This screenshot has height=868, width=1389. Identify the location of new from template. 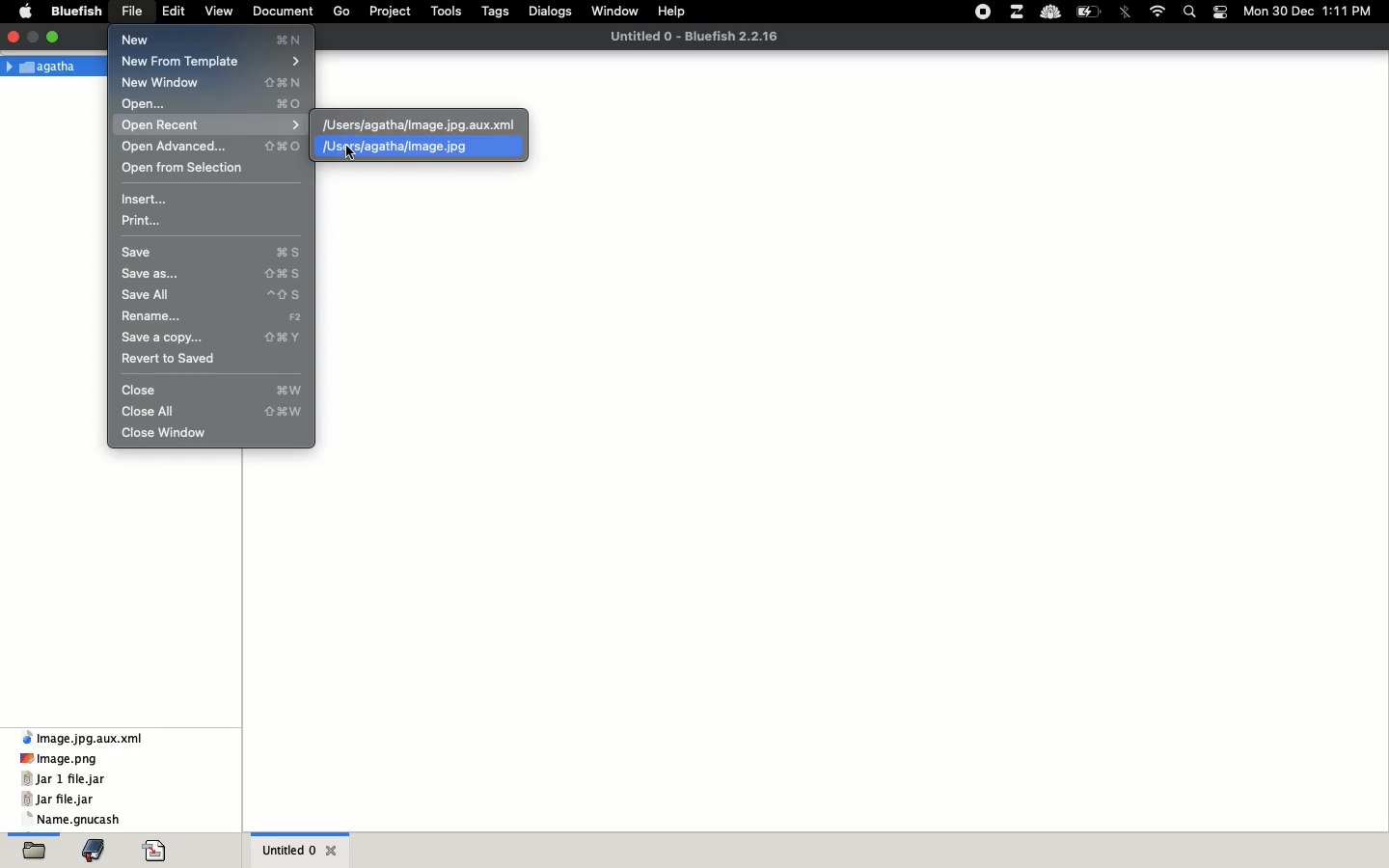
(212, 64).